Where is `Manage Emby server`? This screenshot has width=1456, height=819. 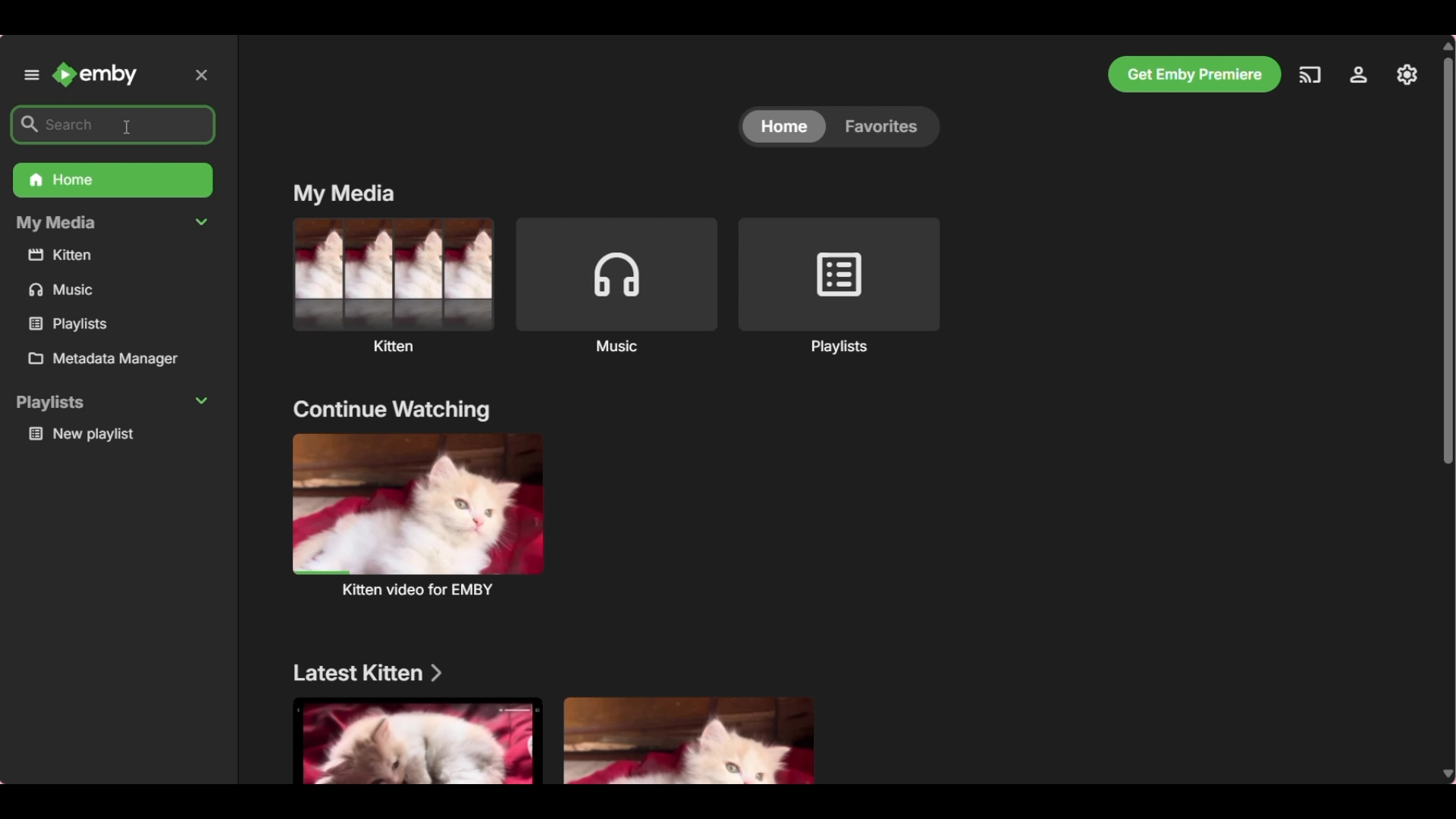 Manage Emby server is located at coordinates (1357, 74).